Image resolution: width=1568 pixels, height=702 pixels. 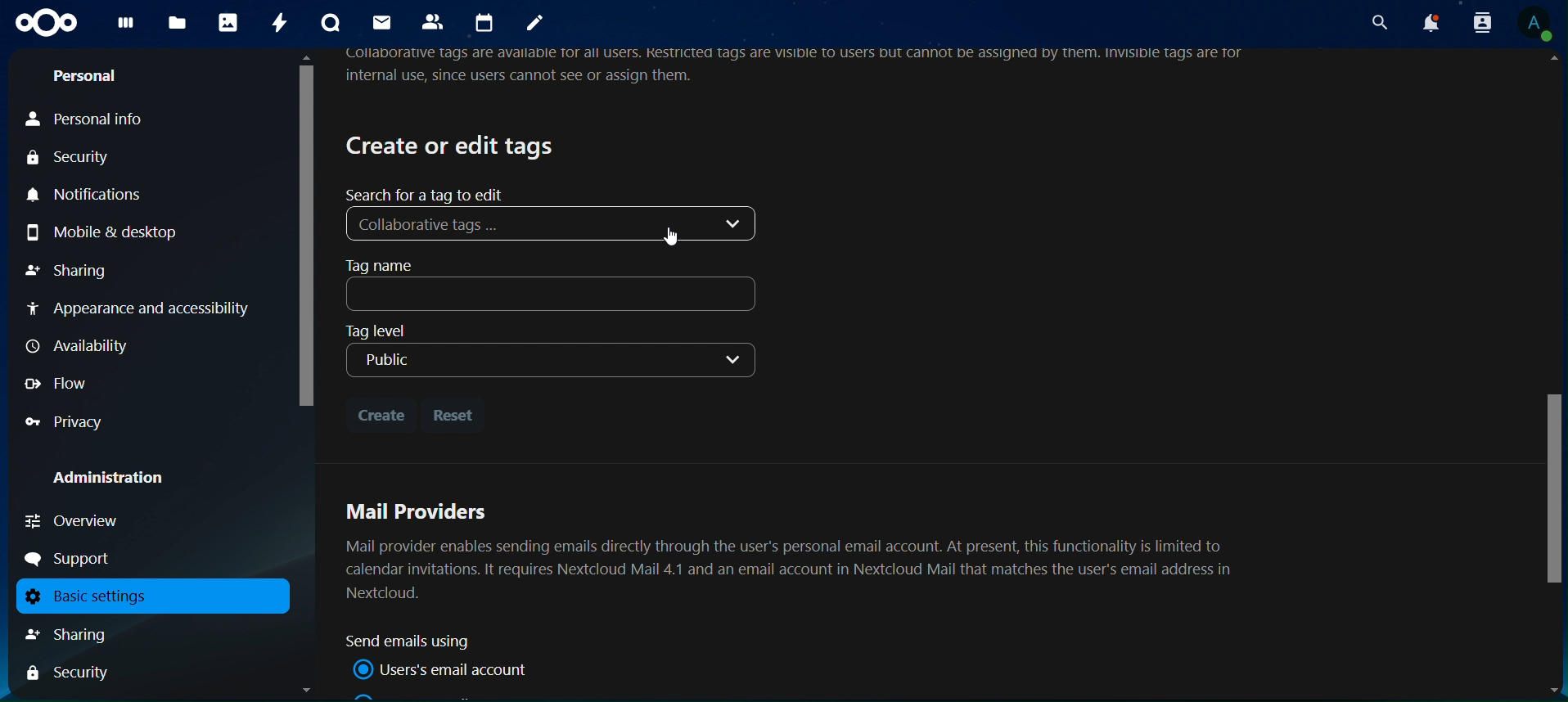 I want to click on reset, so click(x=457, y=415).